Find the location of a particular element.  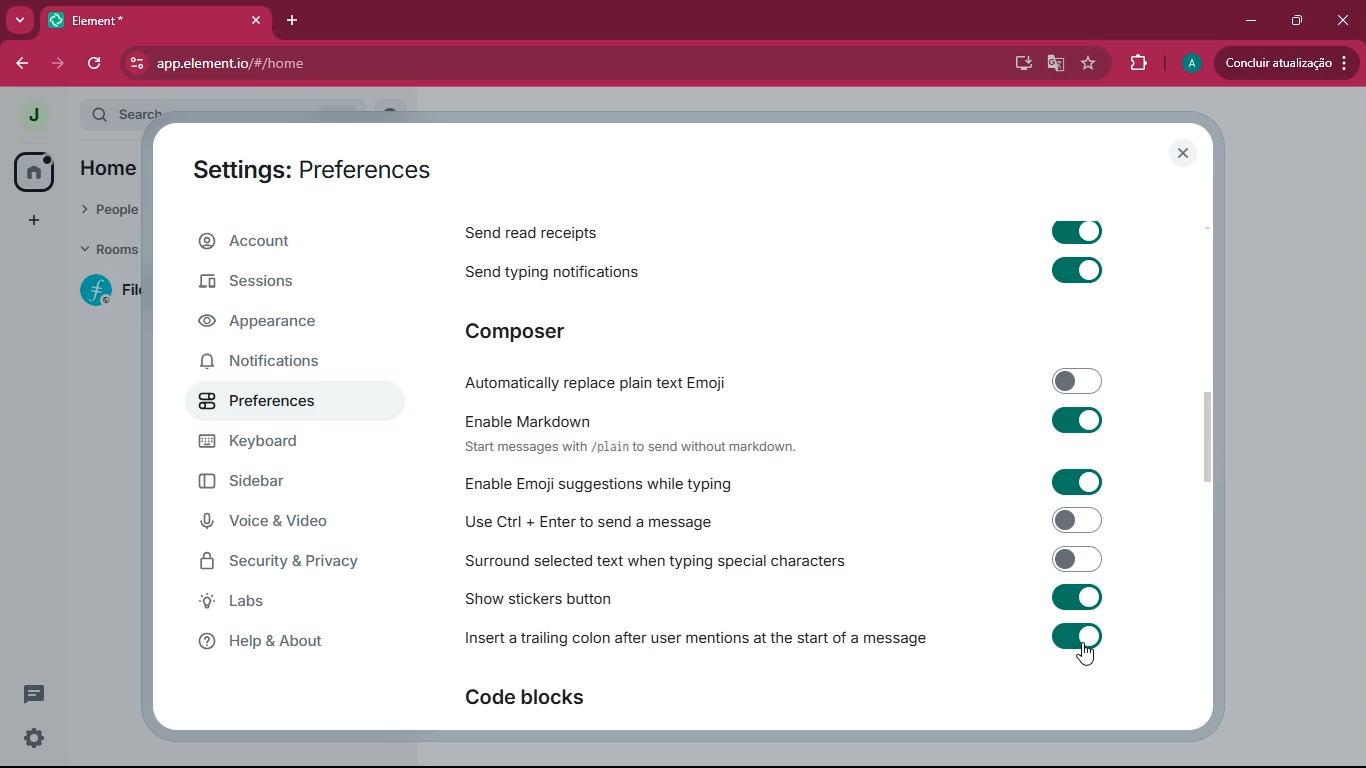

preferences is located at coordinates (276, 403).